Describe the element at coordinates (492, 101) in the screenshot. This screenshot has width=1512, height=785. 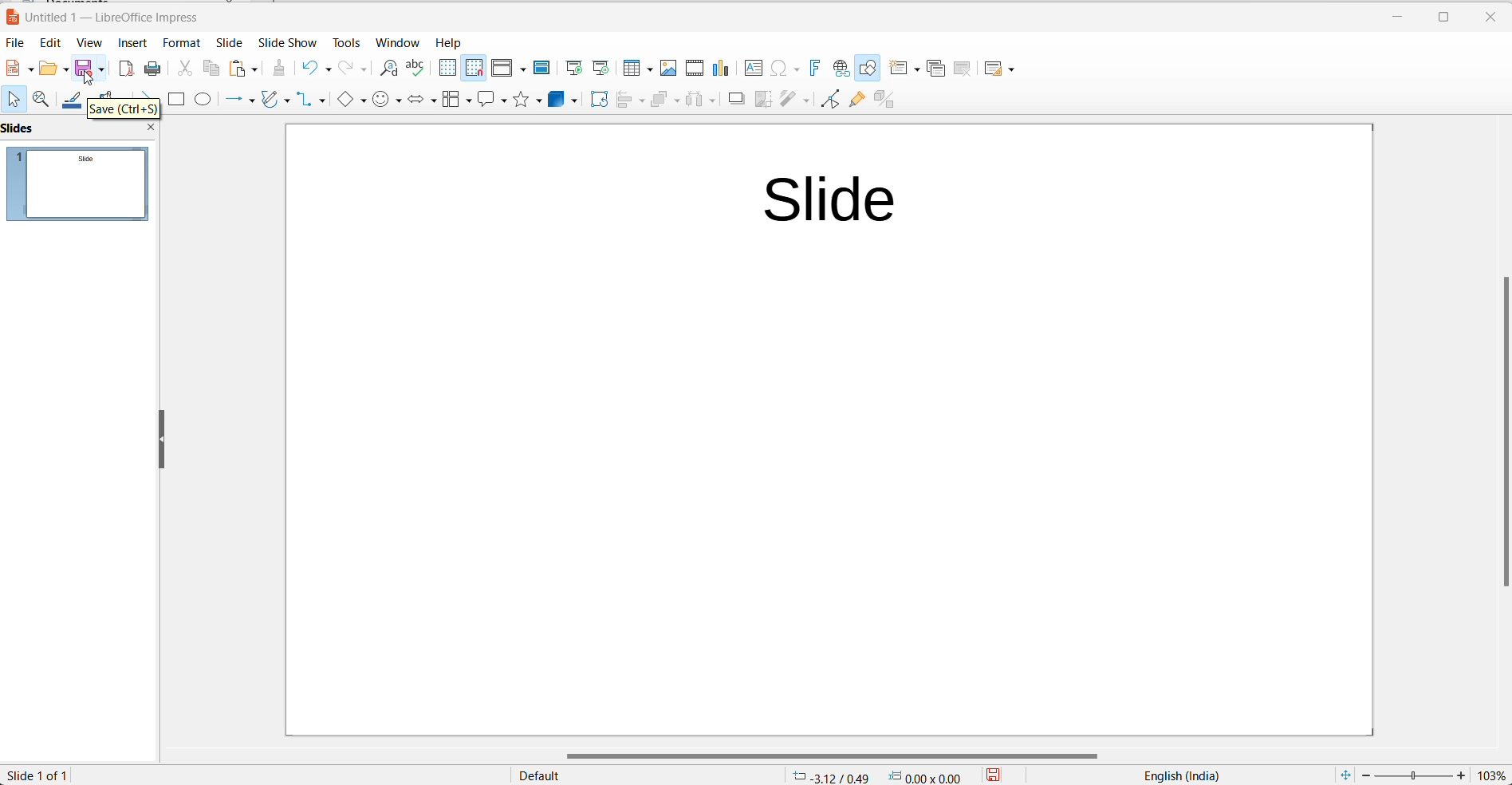
I see `callout shapes` at that location.